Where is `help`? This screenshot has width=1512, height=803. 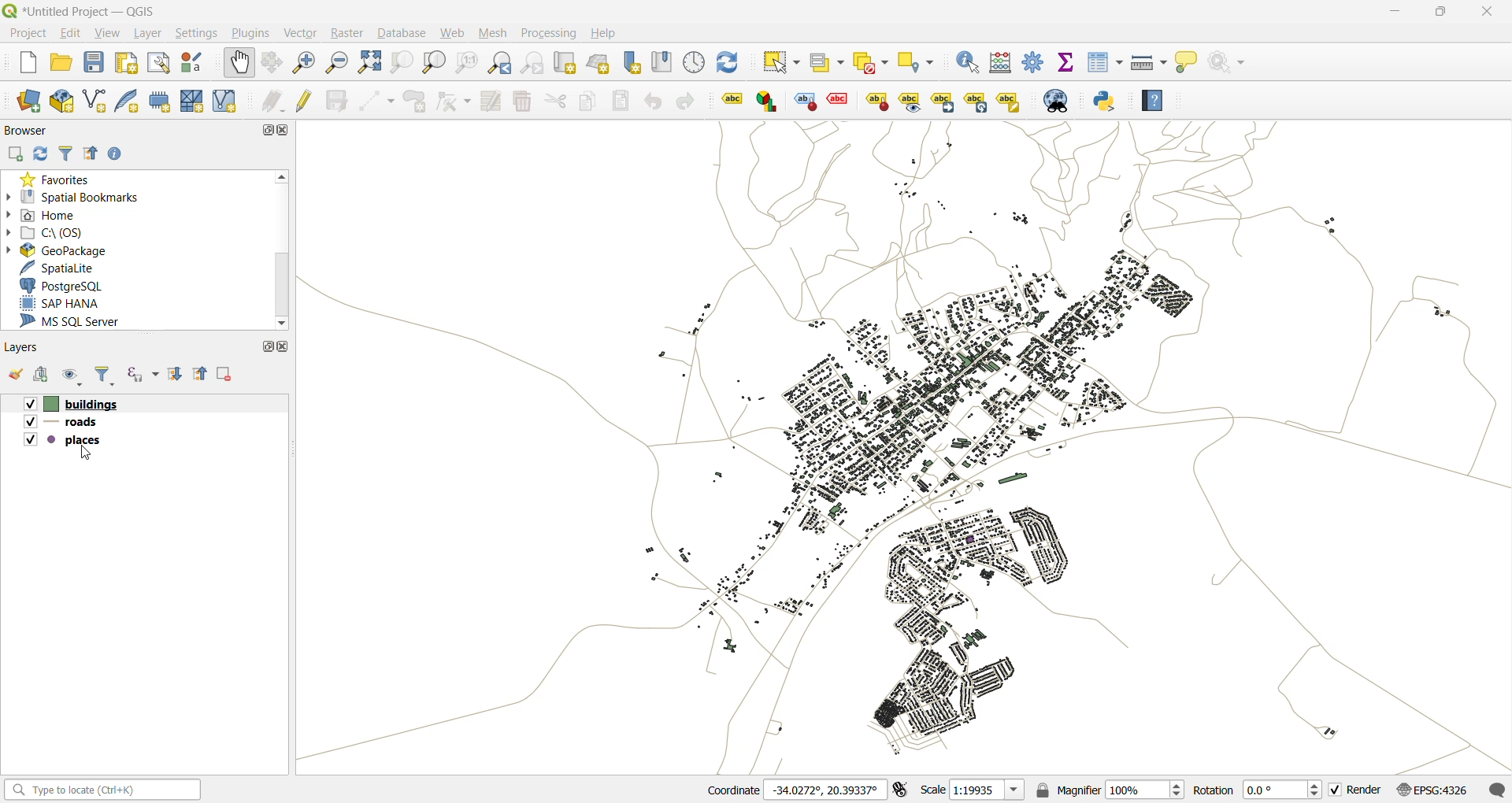
help is located at coordinates (1153, 102).